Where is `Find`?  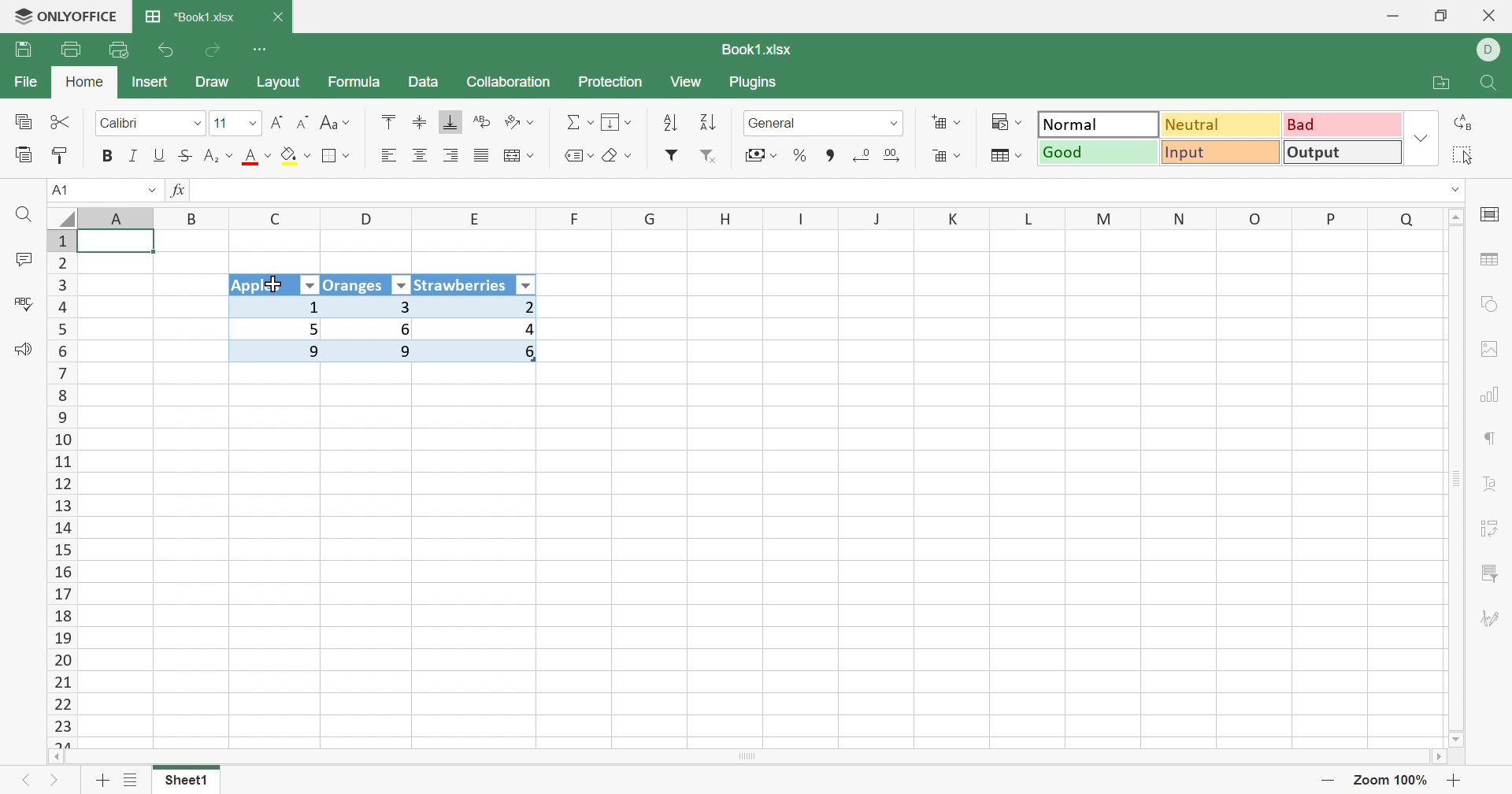
Find is located at coordinates (1492, 84).